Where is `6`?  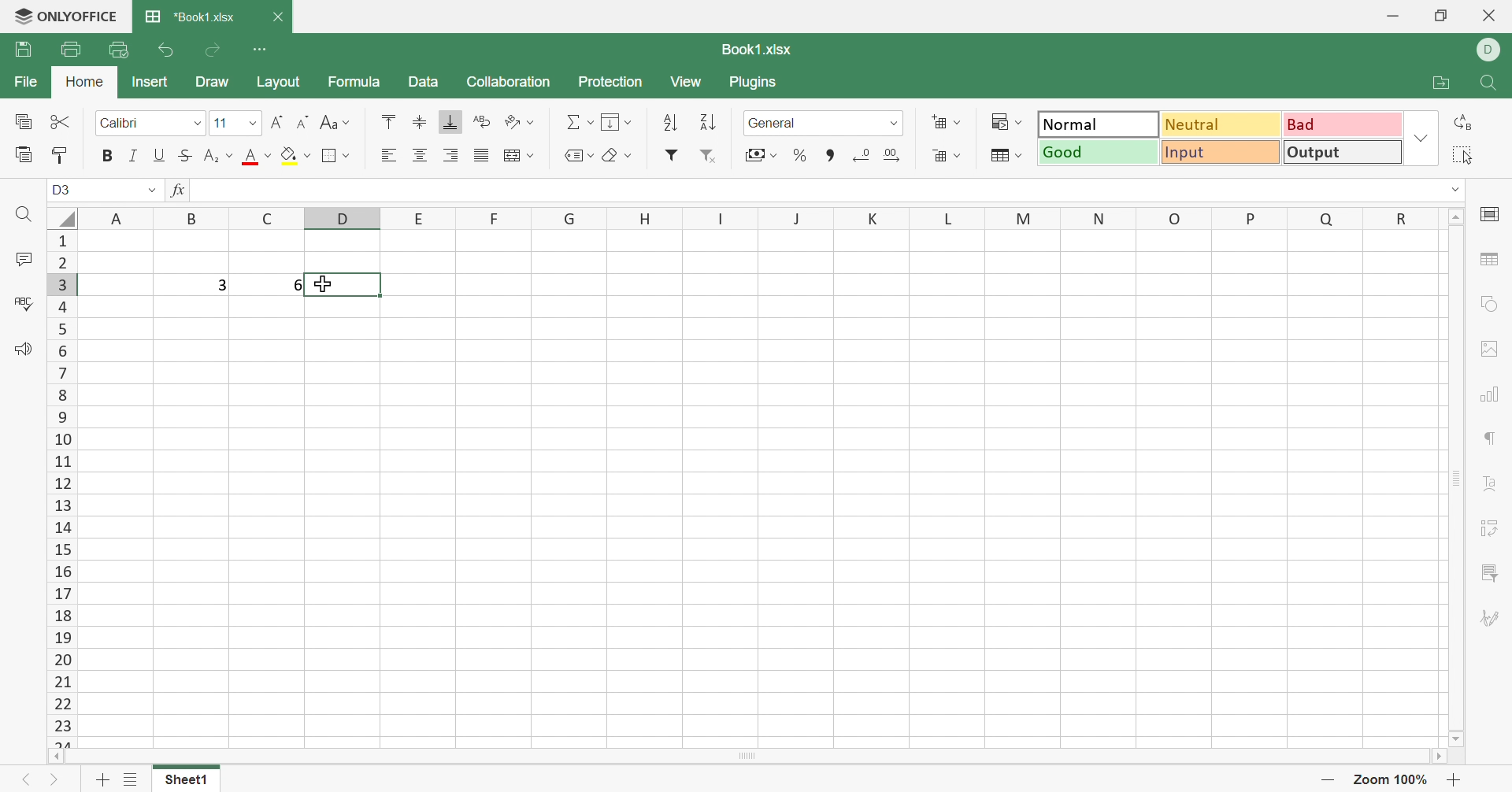 6 is located at coordinates (294, 285).